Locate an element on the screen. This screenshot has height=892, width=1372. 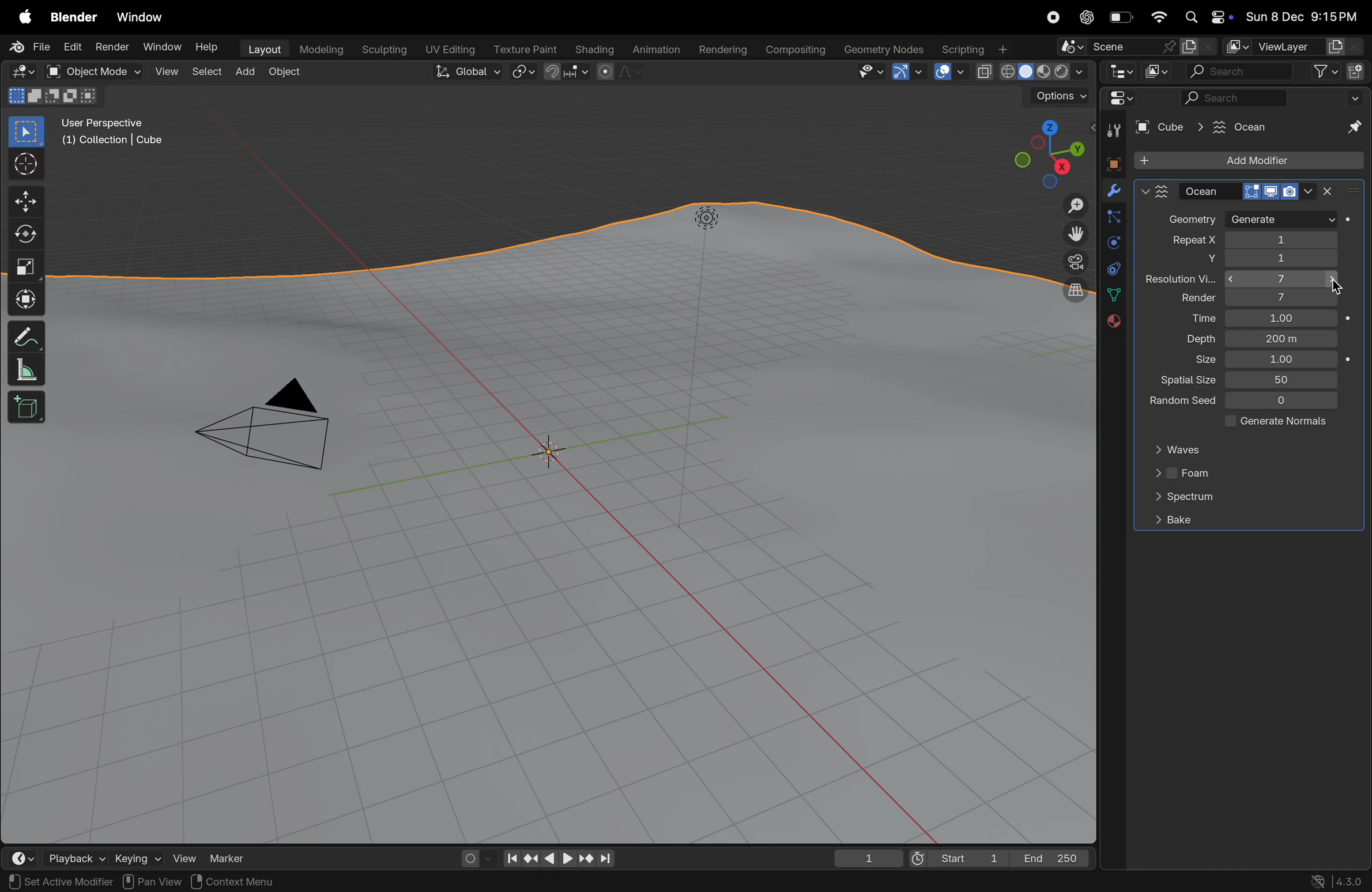
Gemmerty nodes is located at coordinates (883, 50).